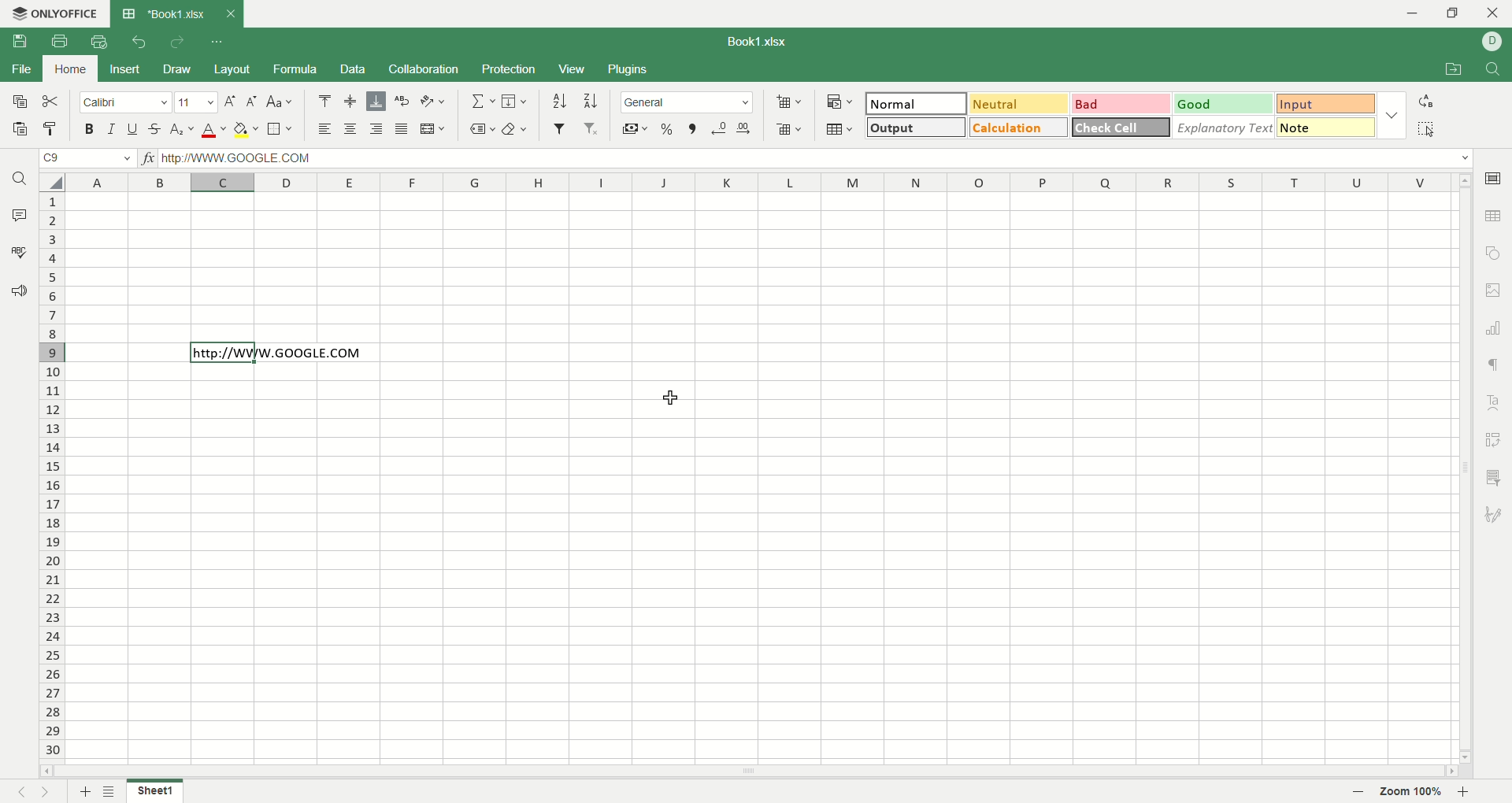 The image size is (1512, 803). Describe the element at coordinates (632, 130) in the screenshot. I see `currency style` at that location.